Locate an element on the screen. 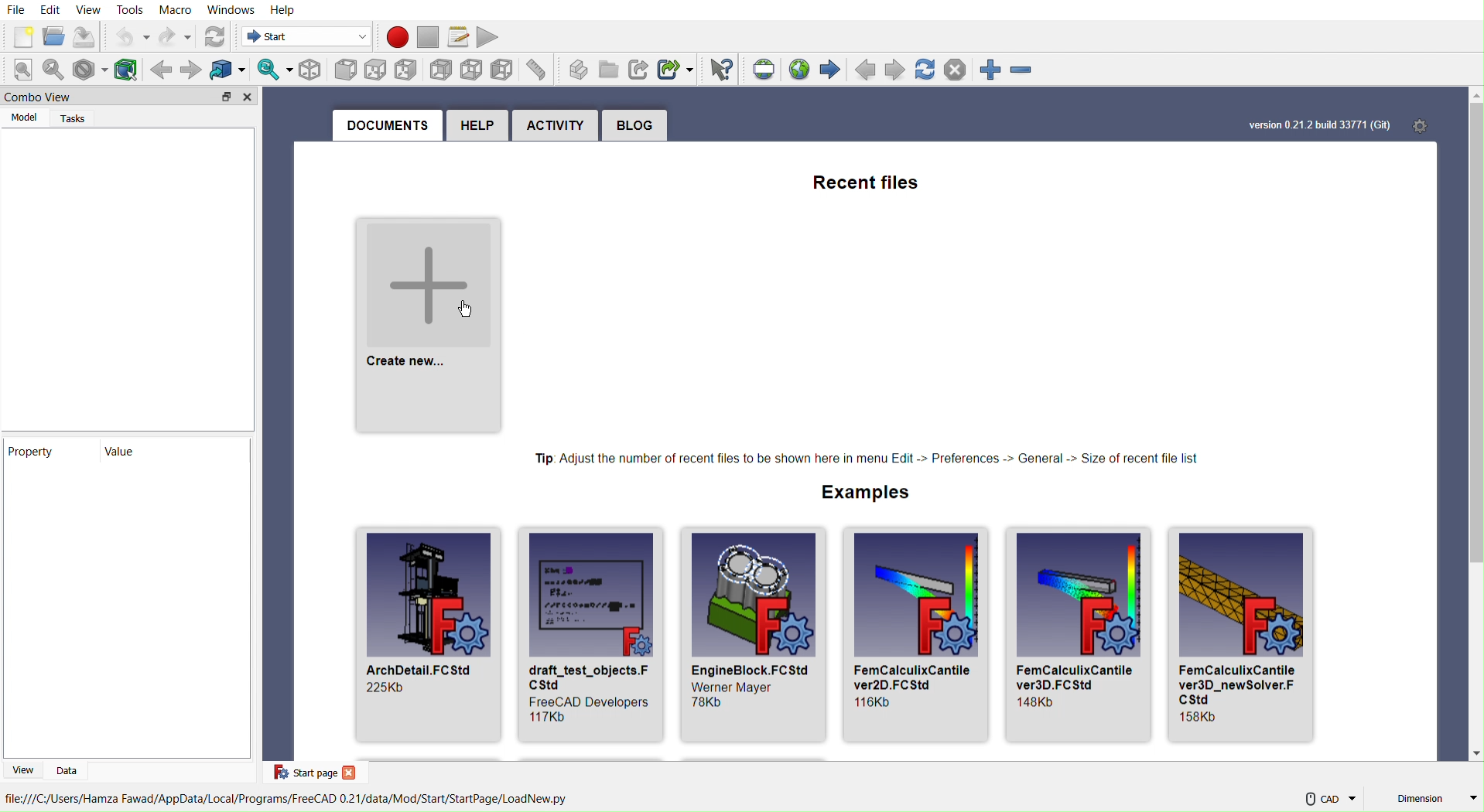 This screenshot has width=1484, height=812. Zoom in is located at coordinates (993, 70).